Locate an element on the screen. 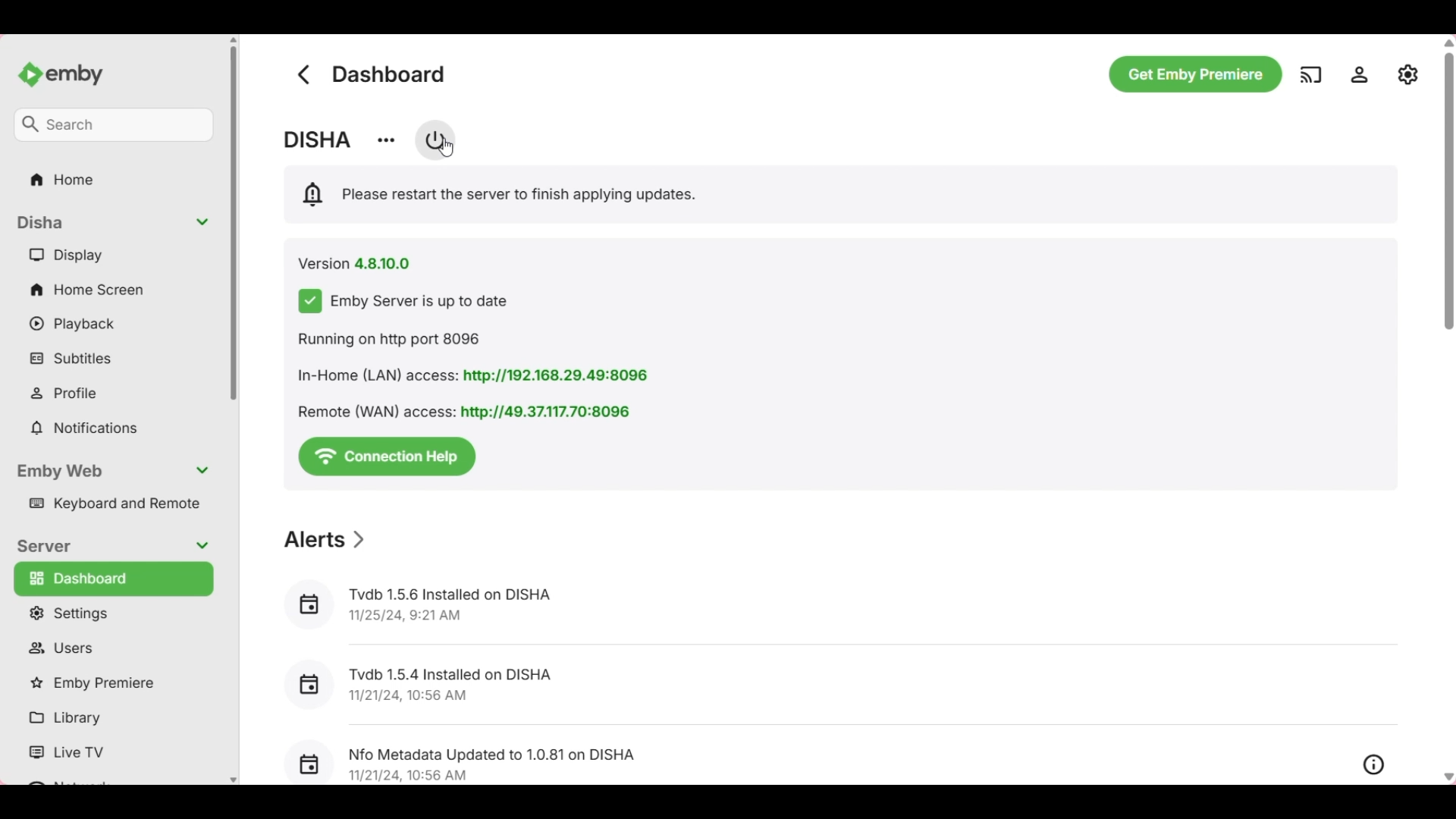  Home folder is located at coordinates (115, 179).